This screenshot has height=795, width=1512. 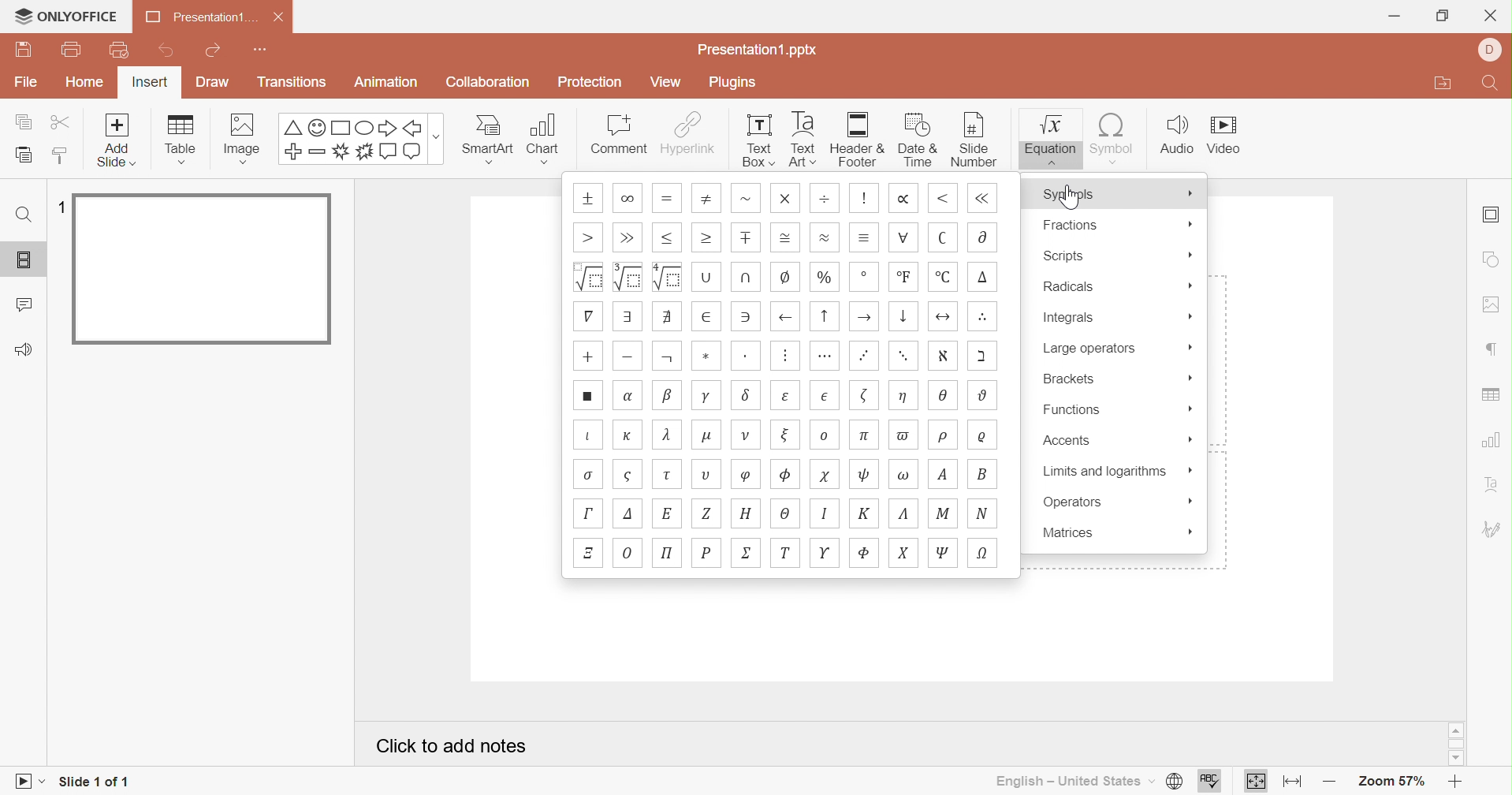 What do you see at coordinates (782, 377) in the screenshot?
I see `Symbols` at bounding box center [782, 377].